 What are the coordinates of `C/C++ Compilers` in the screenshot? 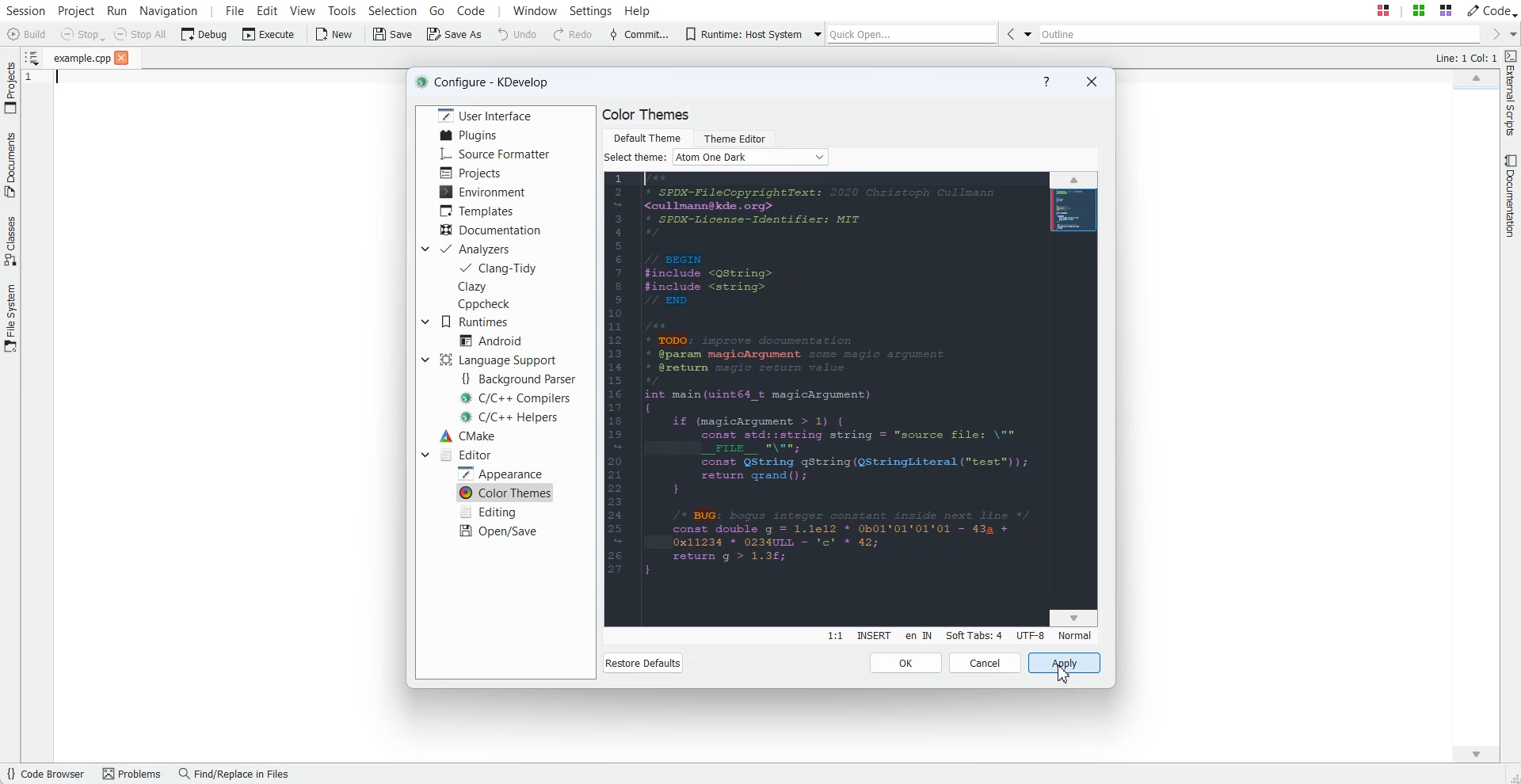 It's located at (517, 398).